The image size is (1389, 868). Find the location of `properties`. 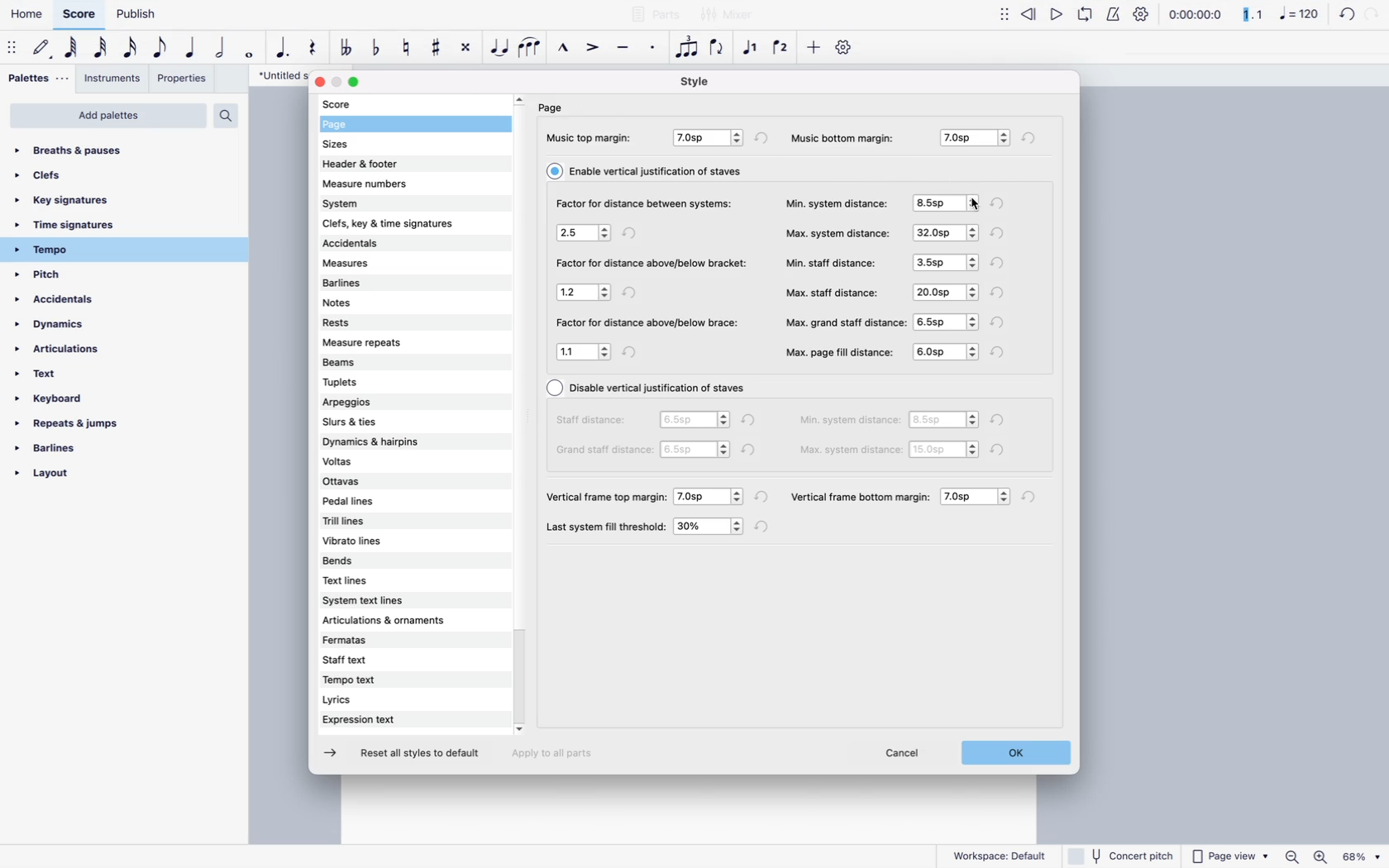

properties is located at coordinates (183, 81).